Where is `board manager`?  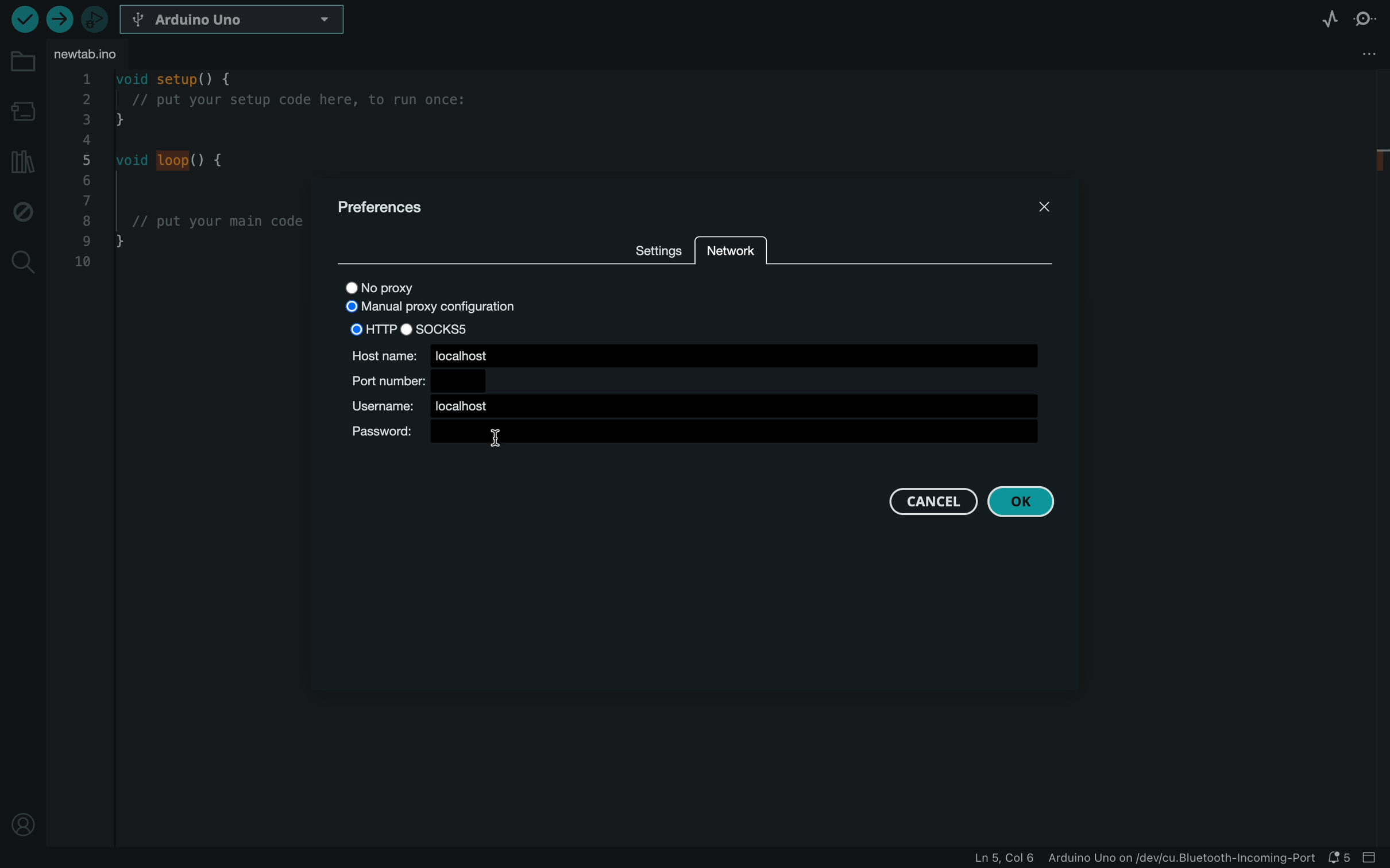 board manager is located at coordinates (22, 106).